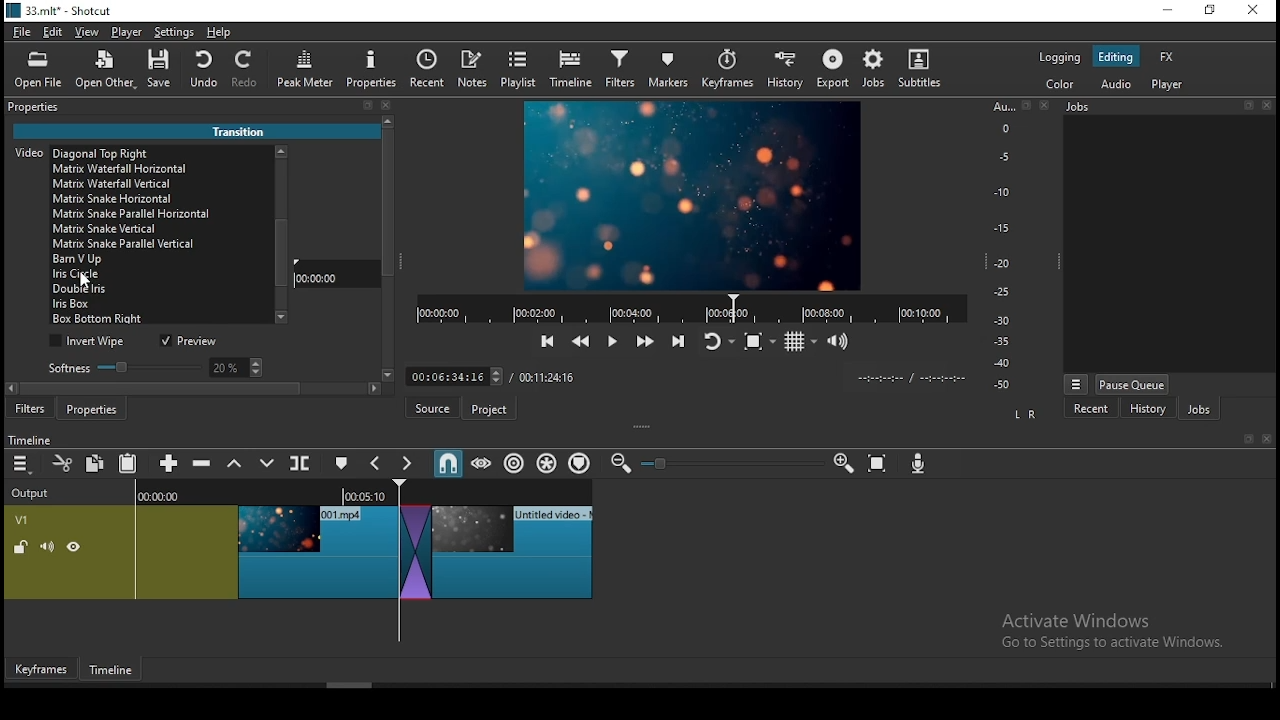 This screenshot has height=720, width=1280. Describe the element at coordinates (31, 410) in the screenshot. I see `filters` at that location.